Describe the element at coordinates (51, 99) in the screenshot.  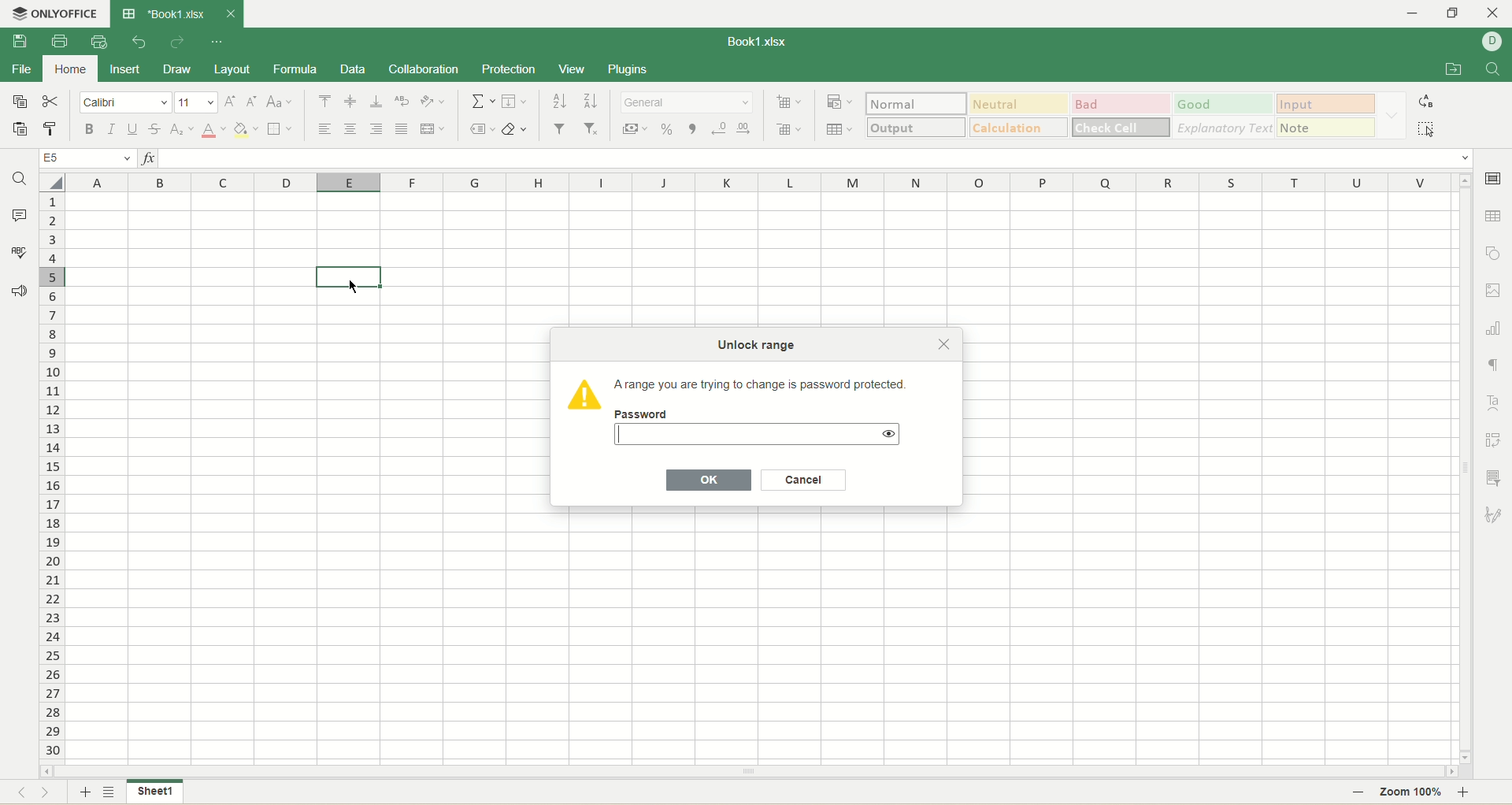
I see `cut` at that location.